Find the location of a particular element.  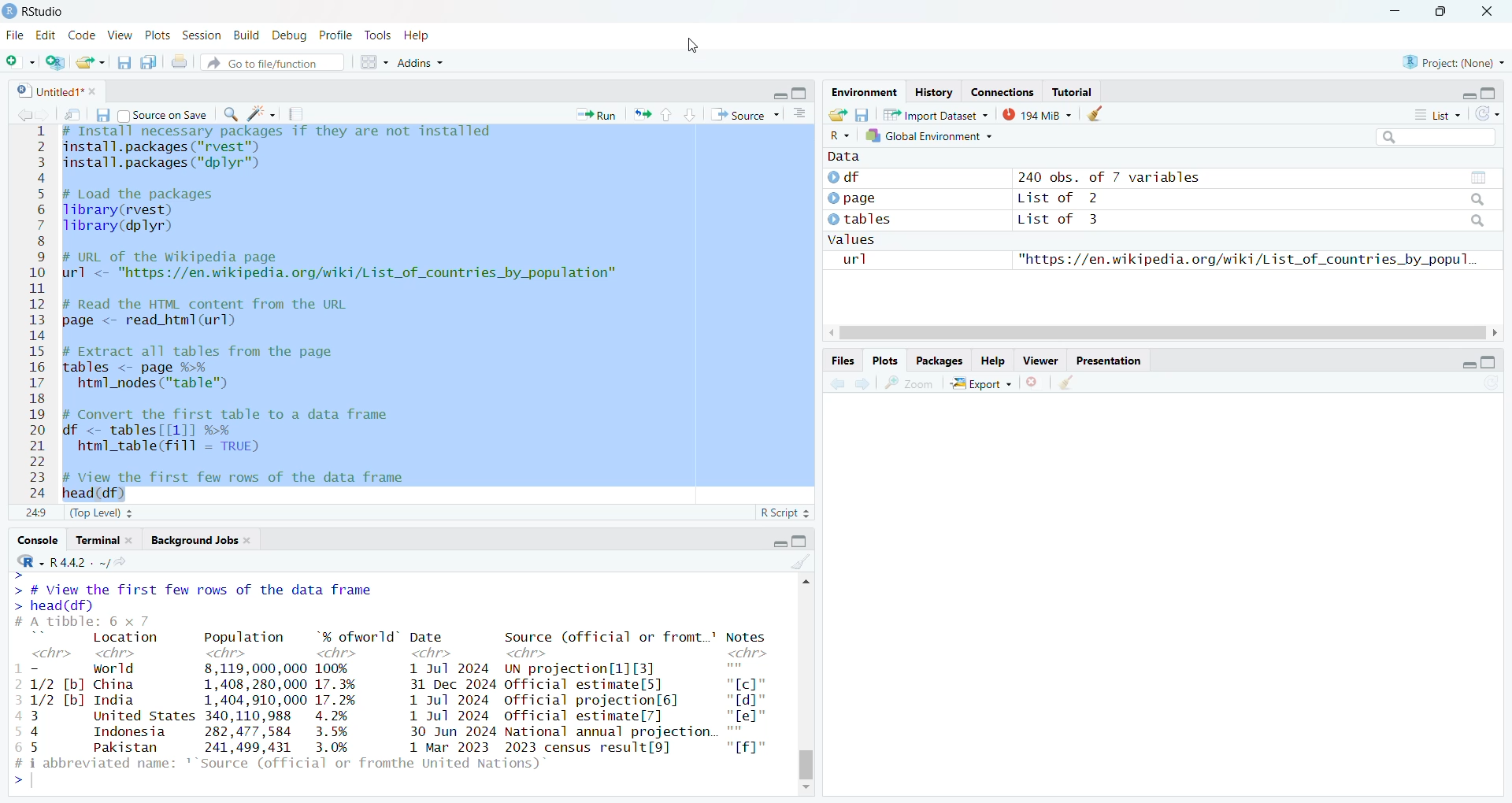

Profile is located at coordinates (337, 35).